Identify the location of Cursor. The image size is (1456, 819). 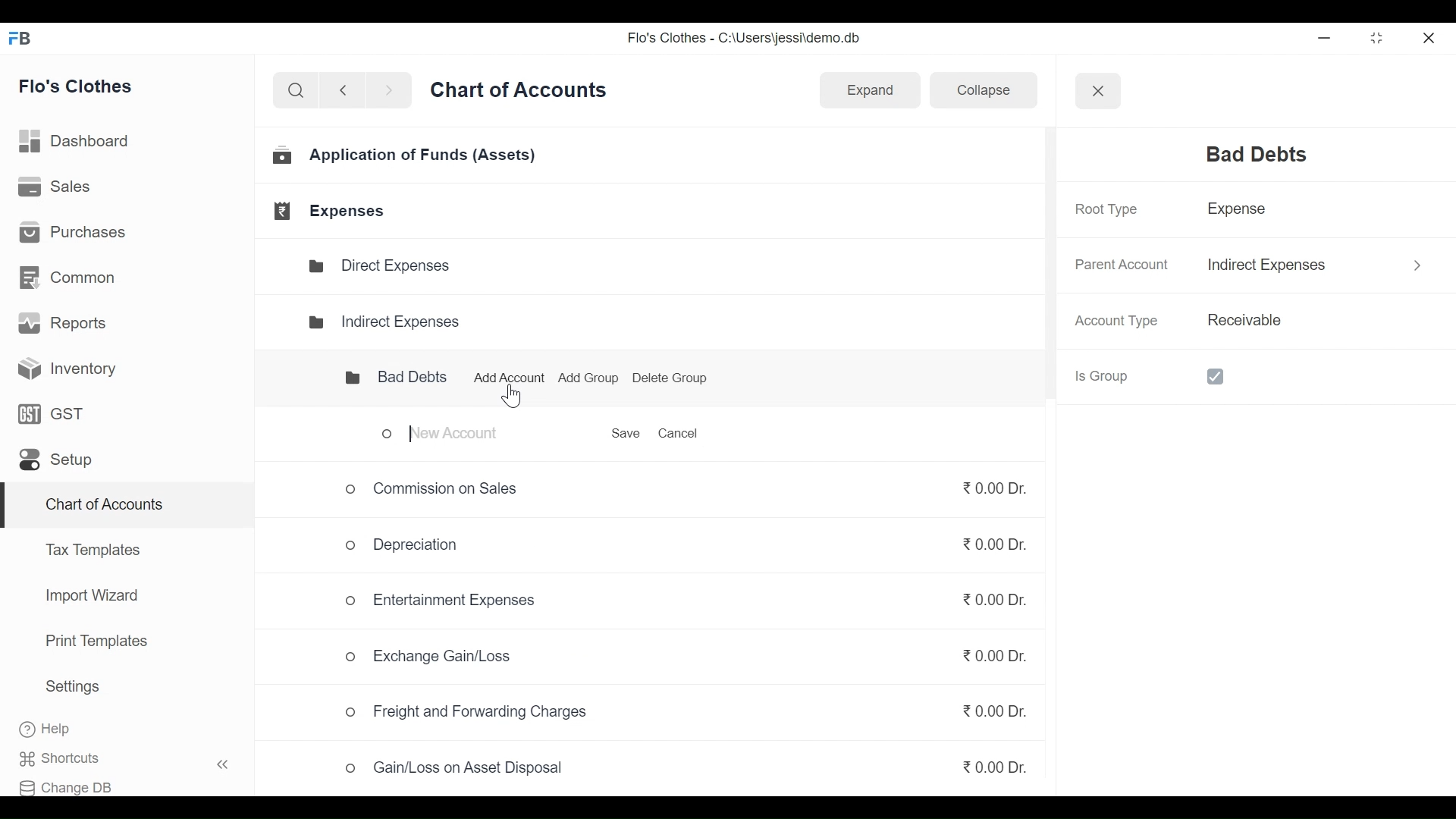
(510, 394).